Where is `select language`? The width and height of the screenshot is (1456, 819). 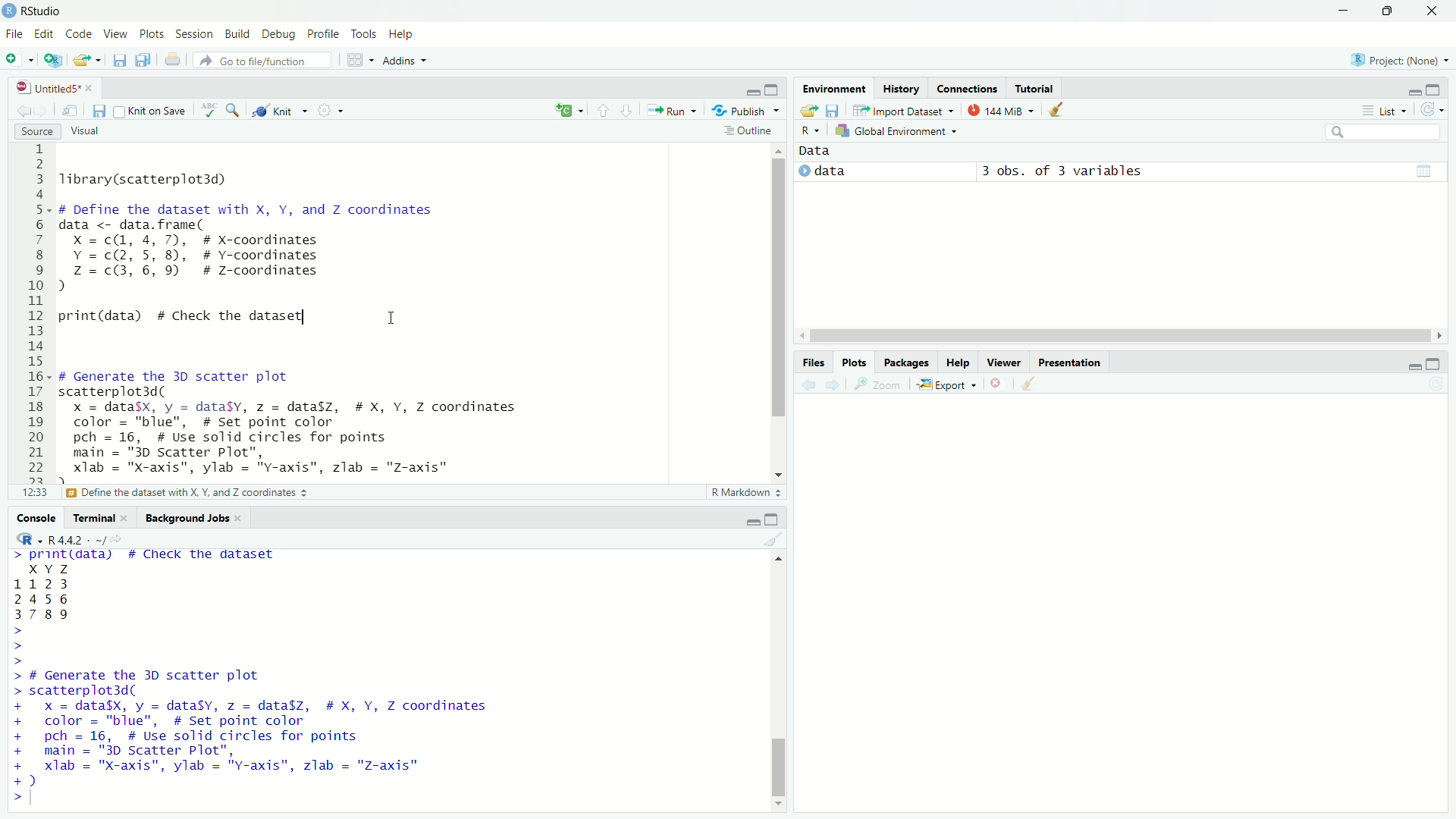 select language is located at coordinates (808, 130).